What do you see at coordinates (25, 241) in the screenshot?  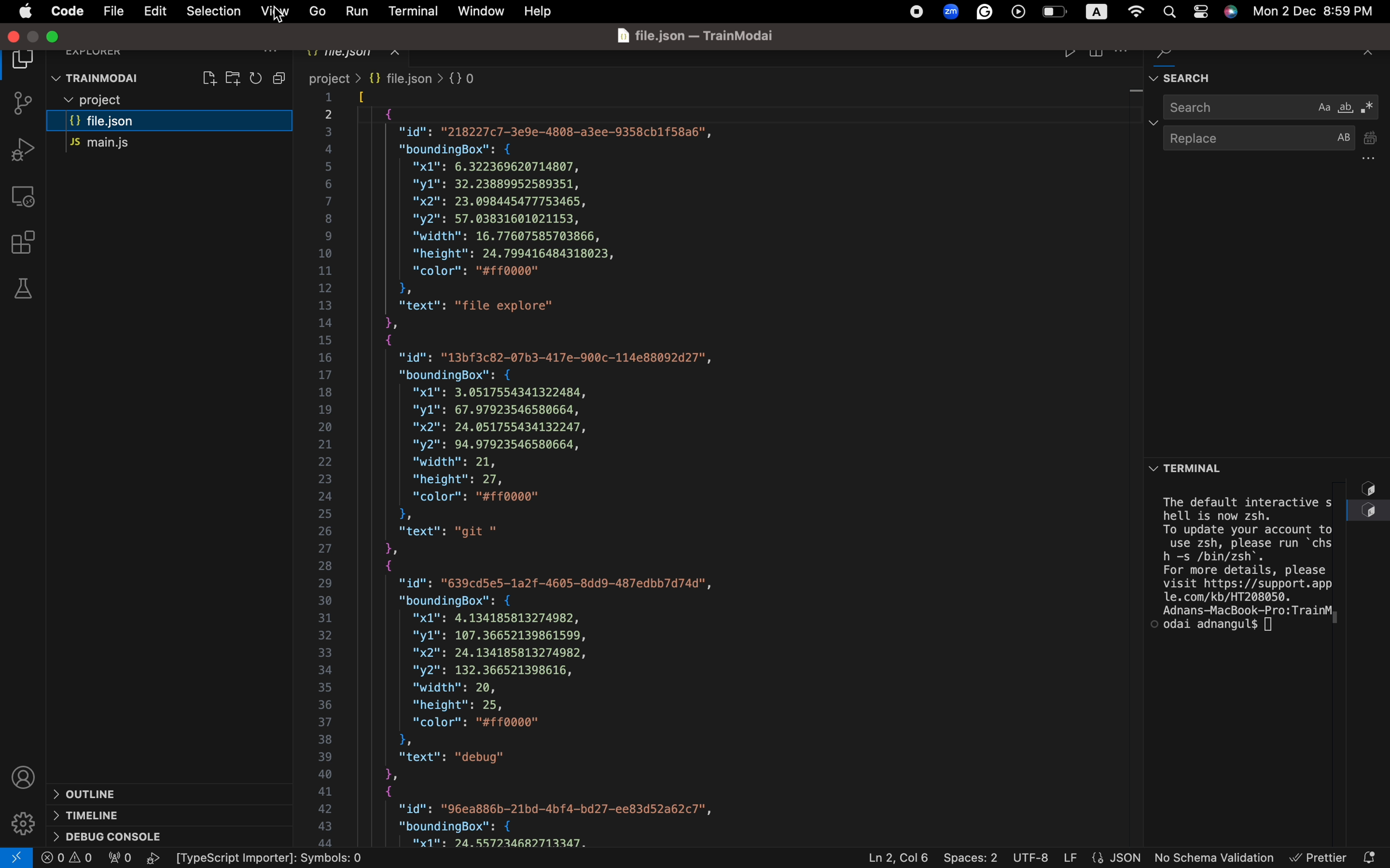 I see `Extensions` at bounding box center [25, 241].